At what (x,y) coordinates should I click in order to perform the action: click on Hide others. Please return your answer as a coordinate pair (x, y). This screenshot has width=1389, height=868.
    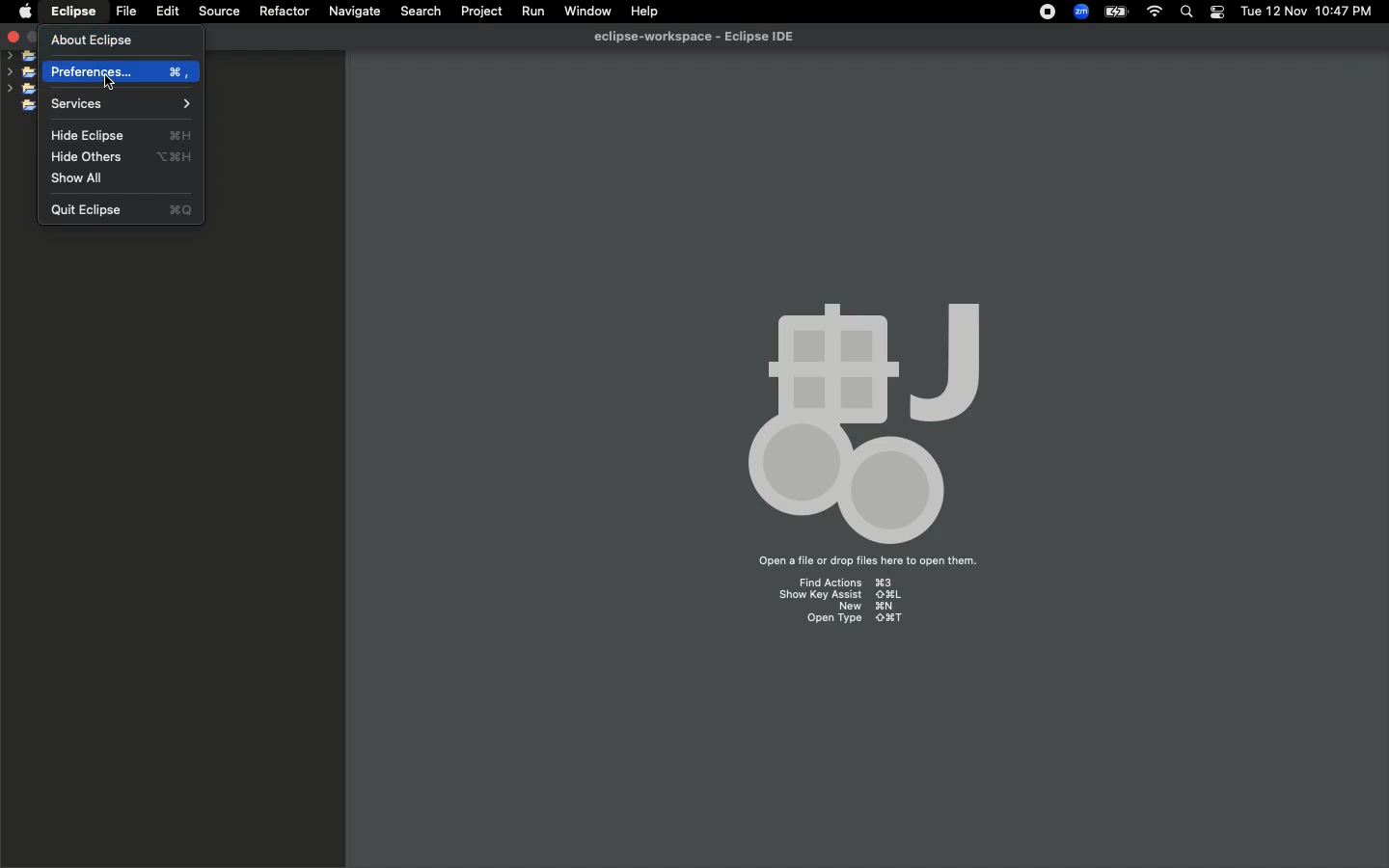
    Looking at the image, I should click on (123, 156).